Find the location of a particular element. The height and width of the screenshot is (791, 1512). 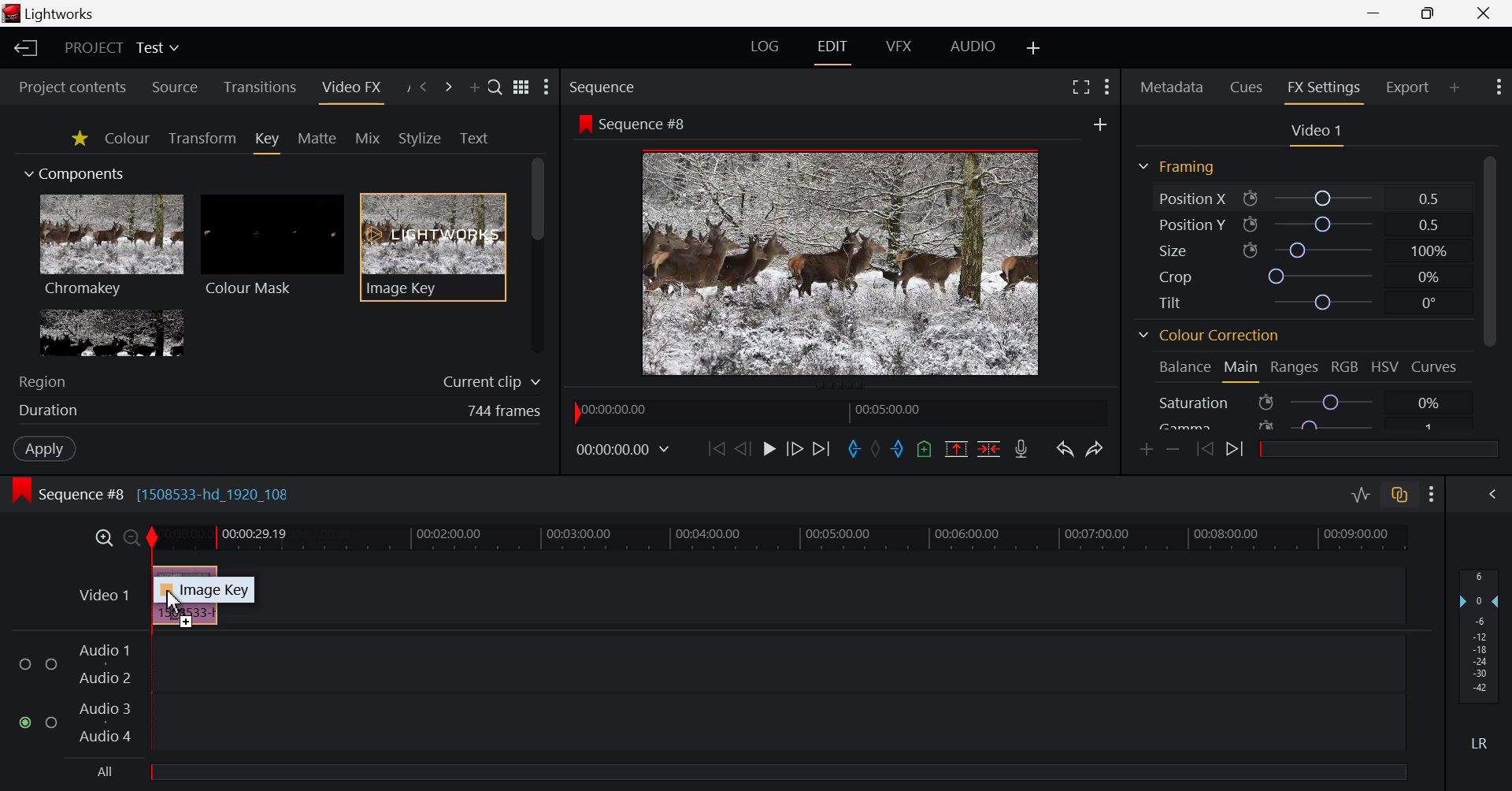

Toggle auto track sync is located at coordinates (1400, 496).